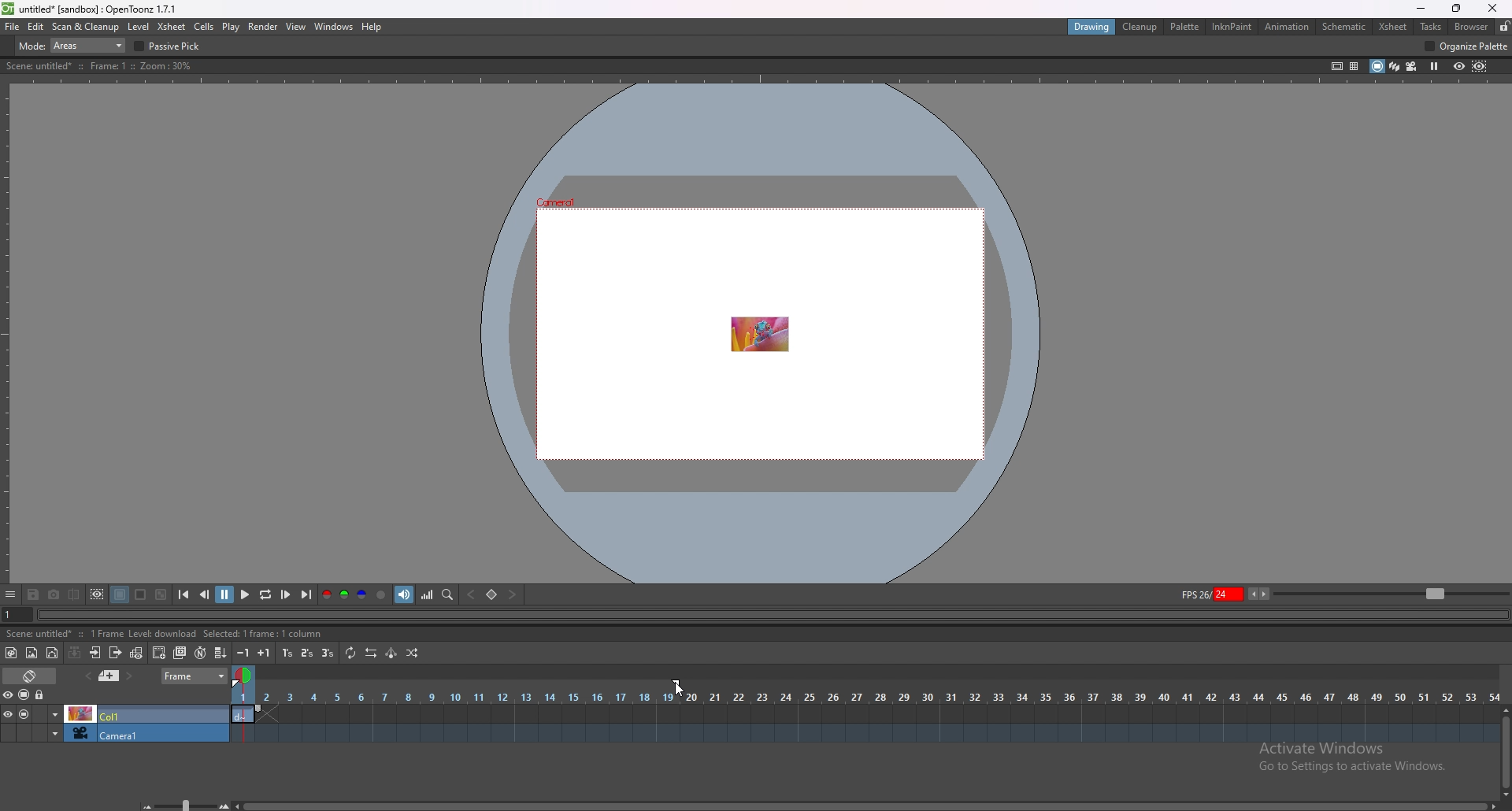 The height and width of the screenshot is (811, 1512). I want to click on histogram, so click(428, 594).